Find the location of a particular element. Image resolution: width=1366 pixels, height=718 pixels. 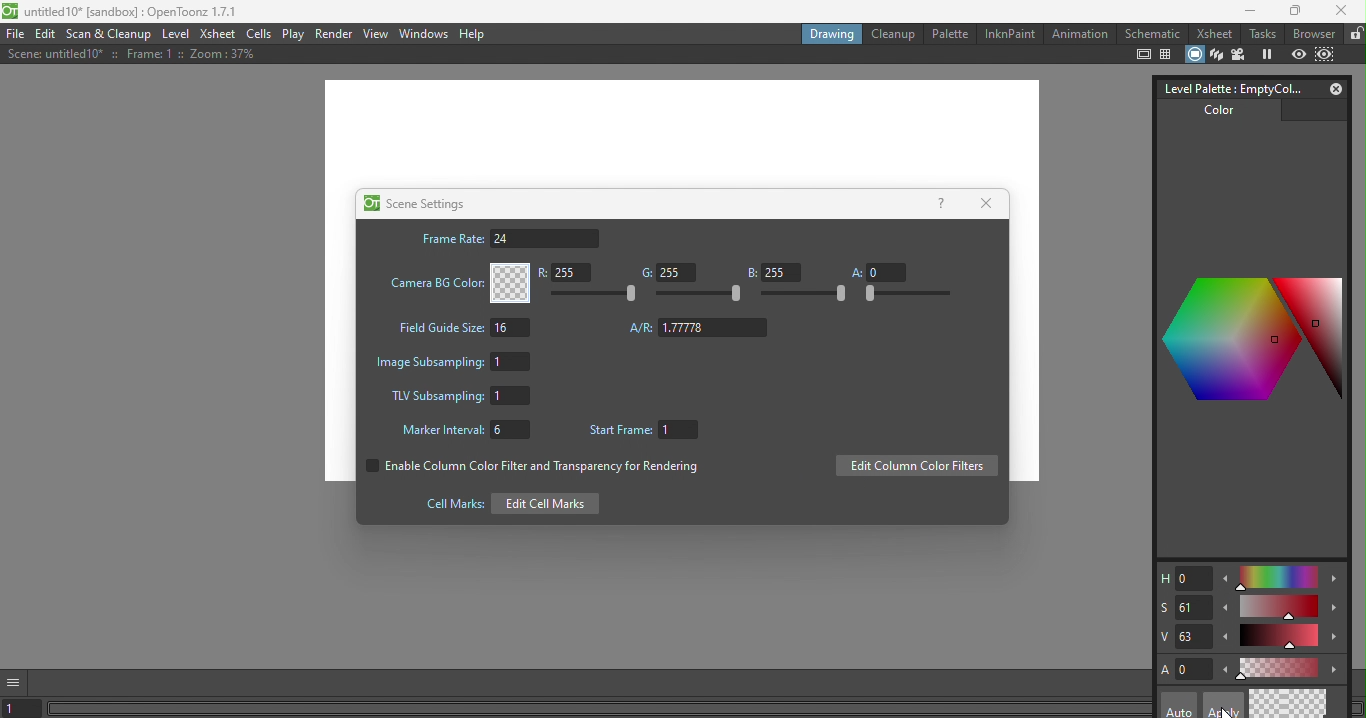

Animation is located at coordinates (1079, 34).